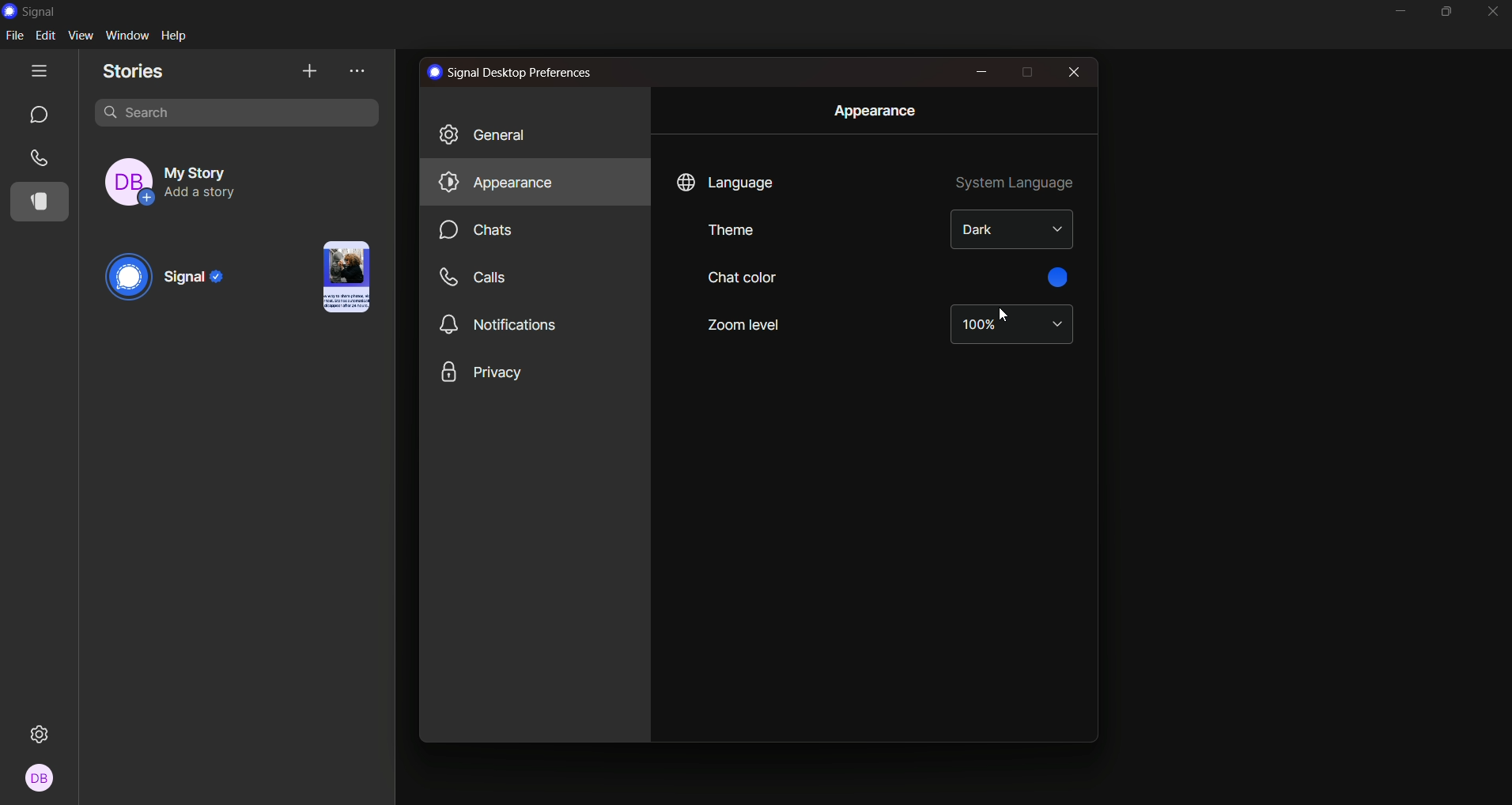 This screenshot has height=805, width=1512. What do you see at coordinates (1398, 12) in the screenshot?
I see `minimize` at bounding box center [1398, 12].